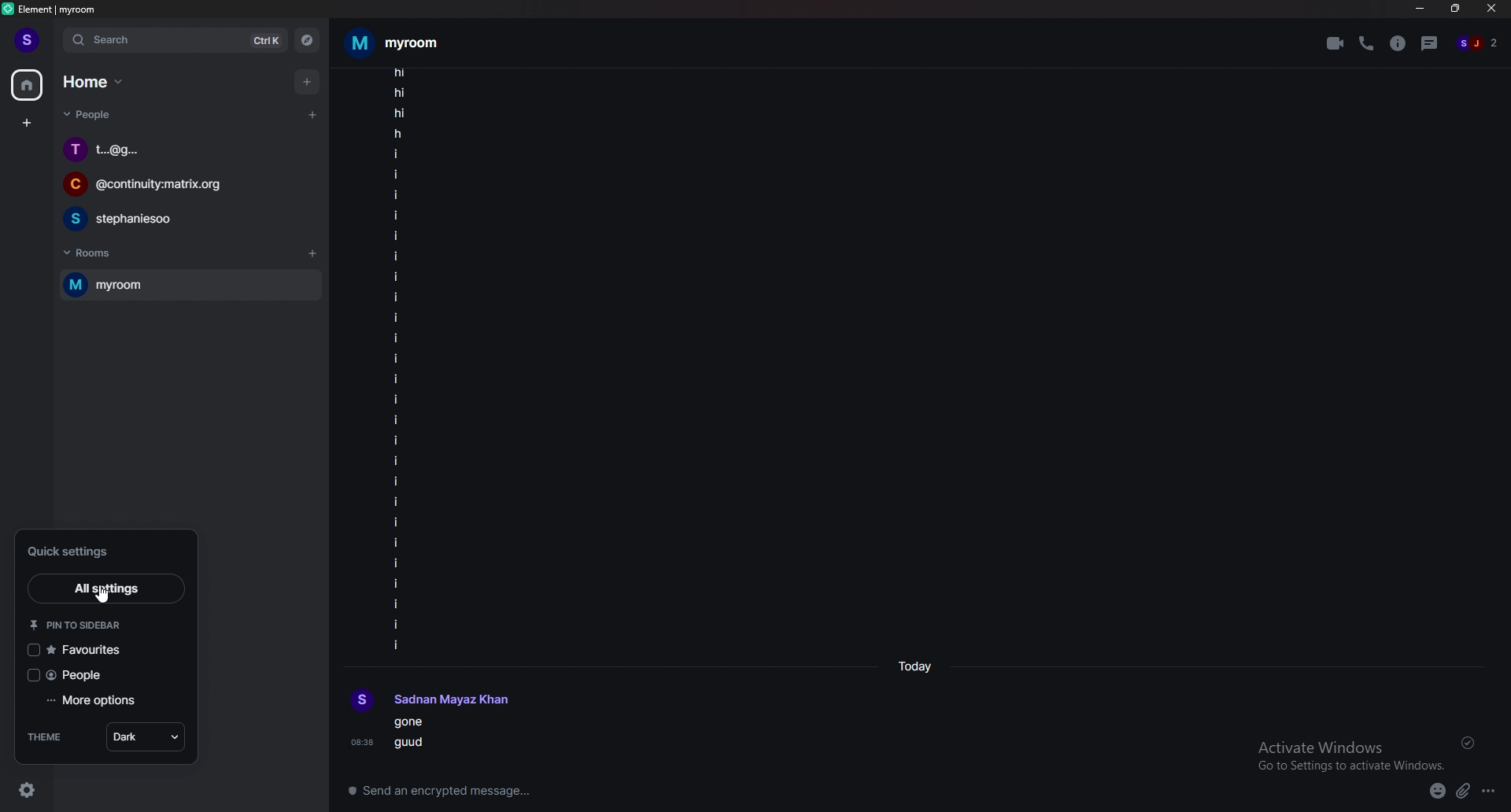 This screenshot has height=812, width=1511. What do you see at coordinates (307, 39) in the screenshot?
I see `explore` at bounding box center [307, 39].